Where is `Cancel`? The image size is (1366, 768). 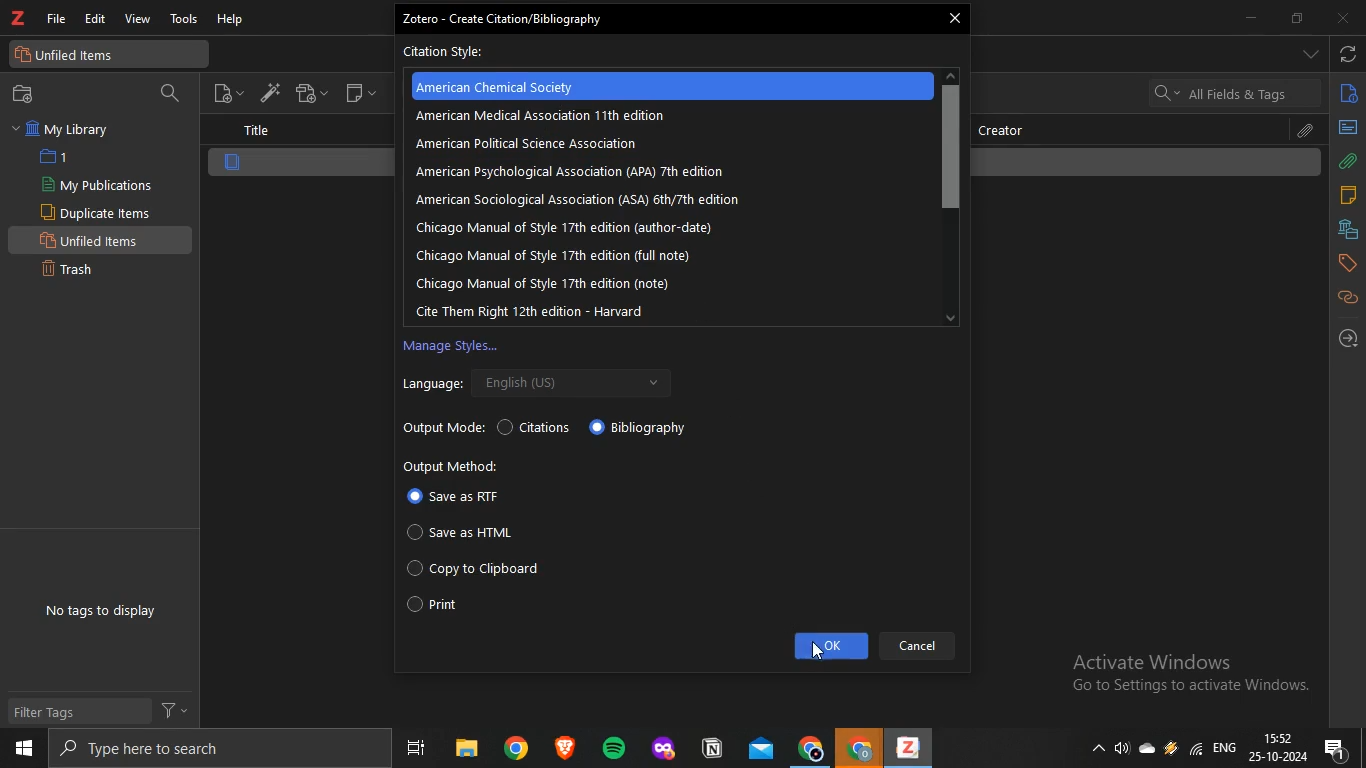 Cancel is located at coordinates (917, 646).